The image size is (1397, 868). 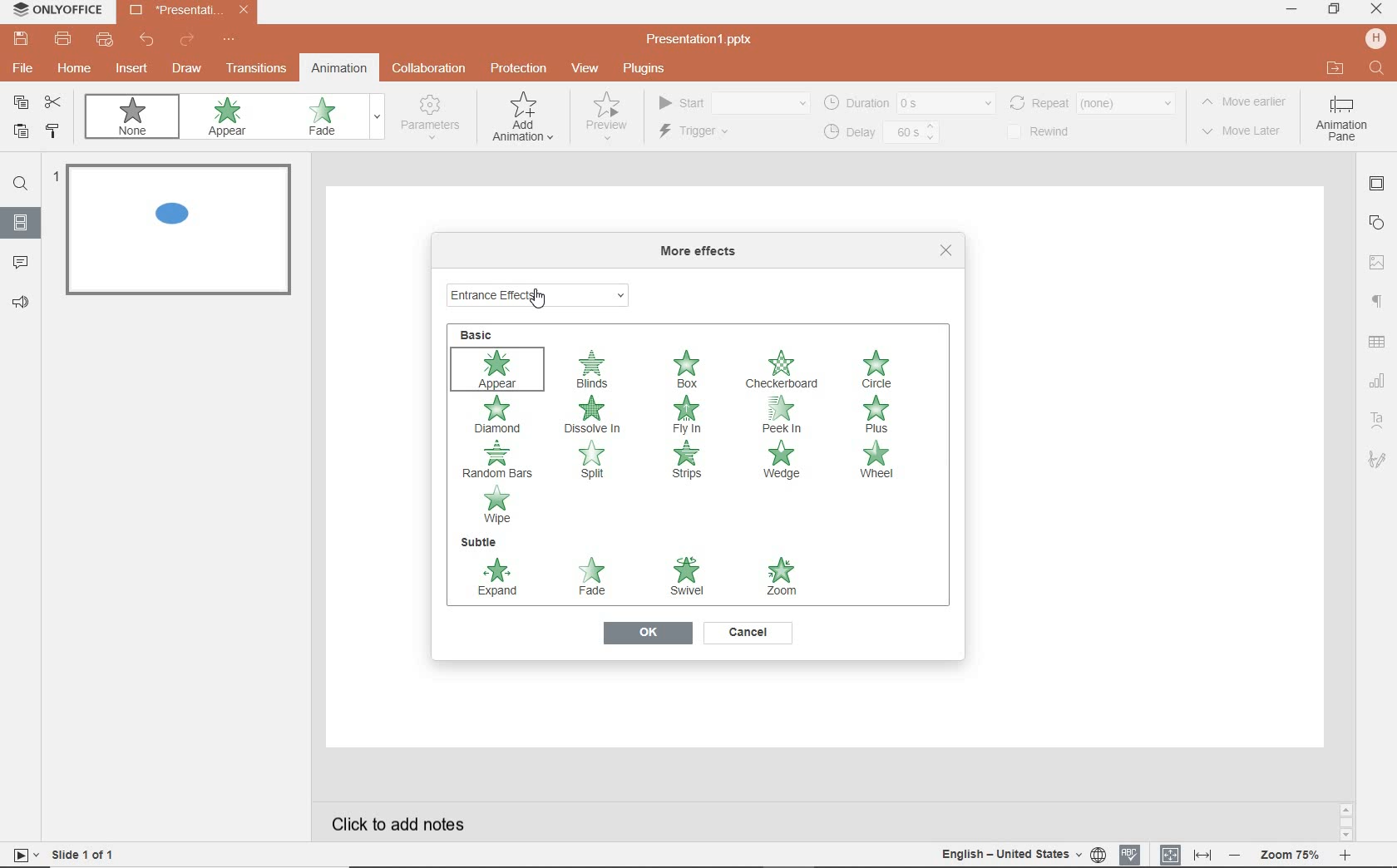 I want to click on transitions, so click(x=256, y=70).